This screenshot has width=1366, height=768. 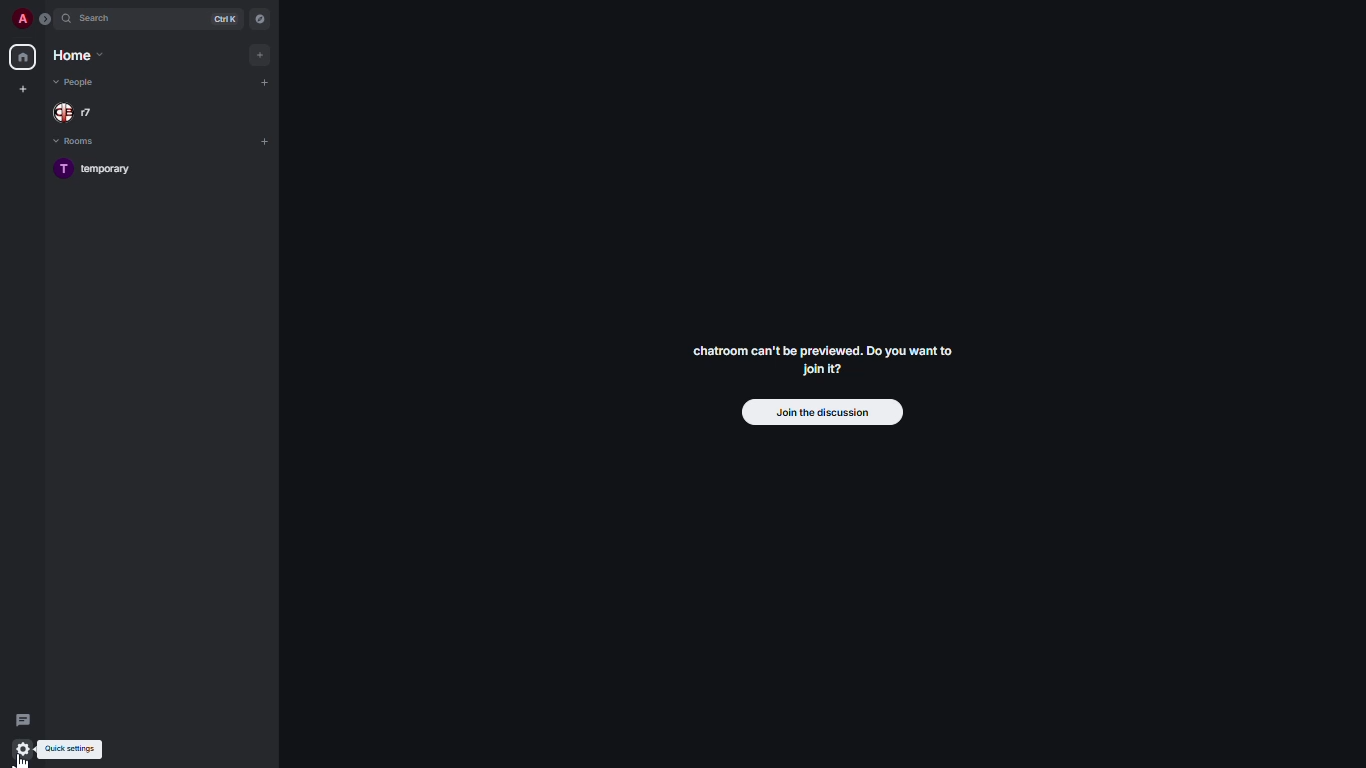 What do you see at coordinates (24, 88) in the screenshot?
I see `create new space` at bounding box center [24, 88].